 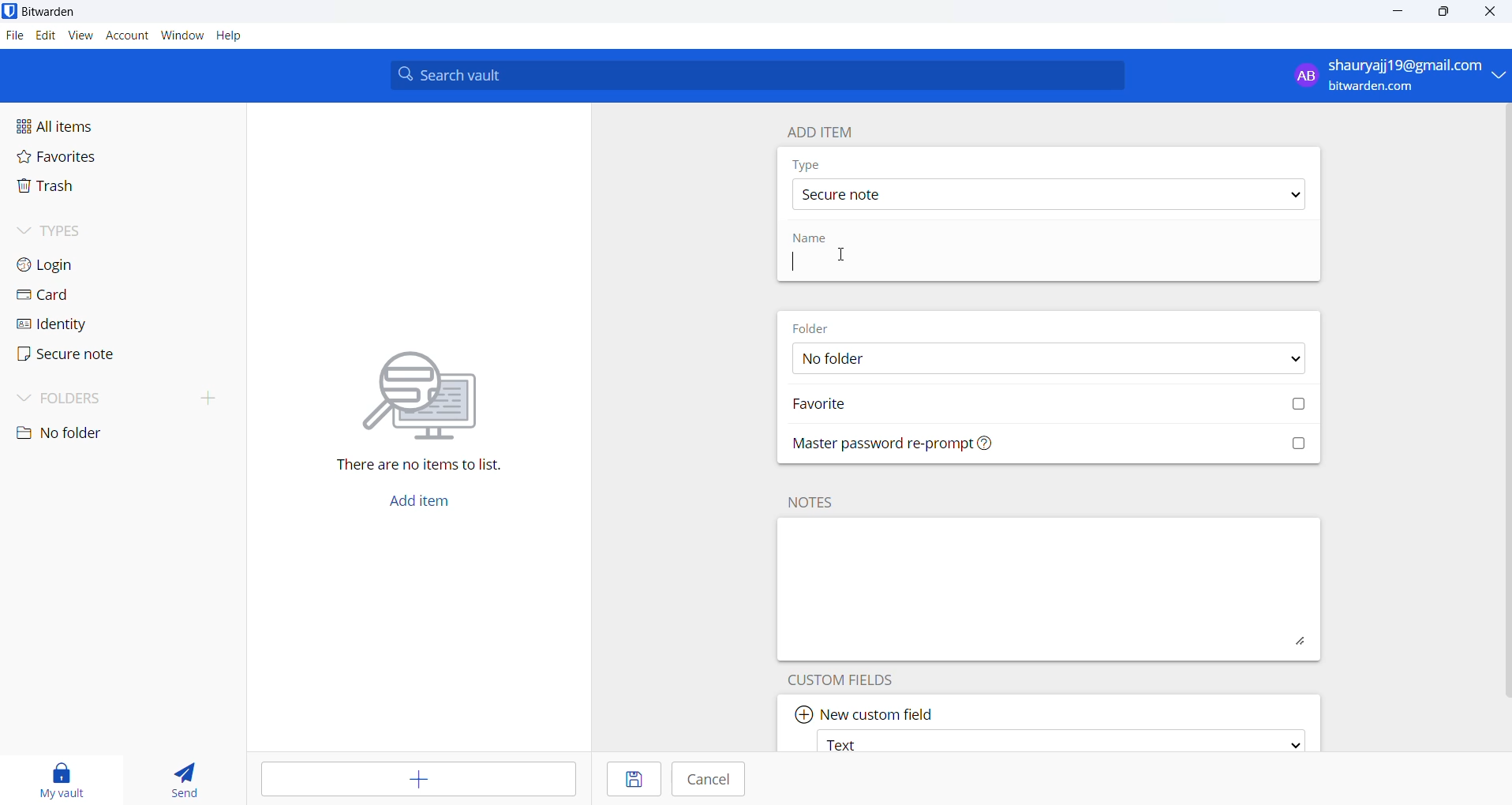 What do you see at coordinates (627, 779) in the screenshot?
I see `save` at bounding box center [627, 779].